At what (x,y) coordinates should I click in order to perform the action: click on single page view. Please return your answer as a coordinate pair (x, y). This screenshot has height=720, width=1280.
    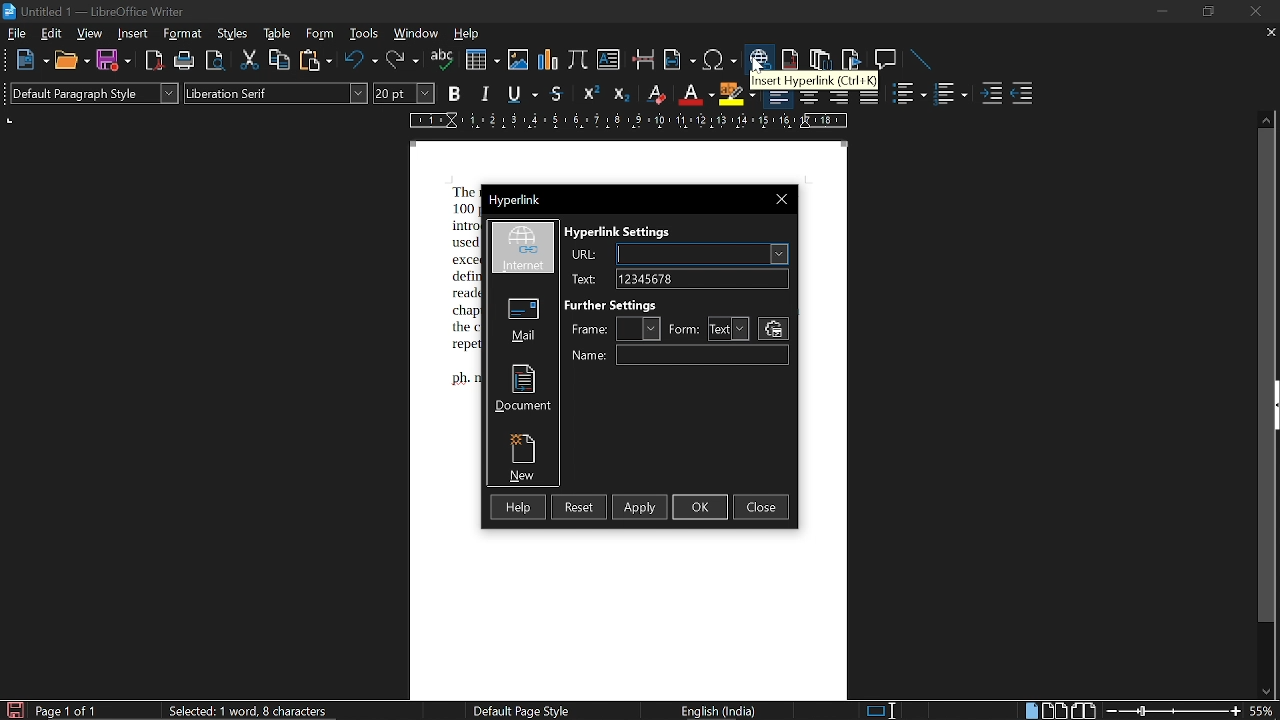
    Looking at the image, I should click on (1030, 710).